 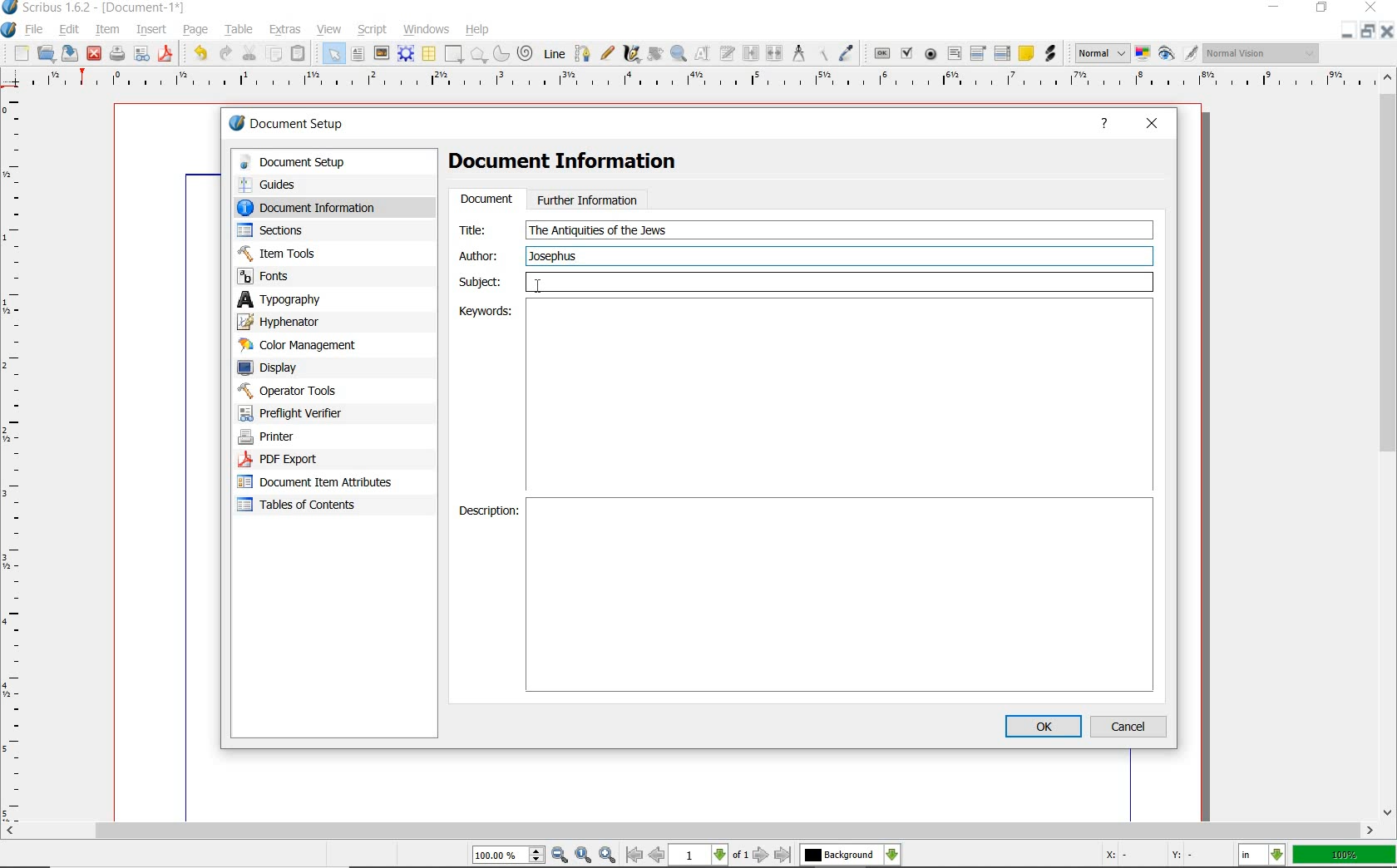 What do you see at coordinates (710, 856) in the screenshot?
I see `move to next or previous page` at bounding box center [710, 856].